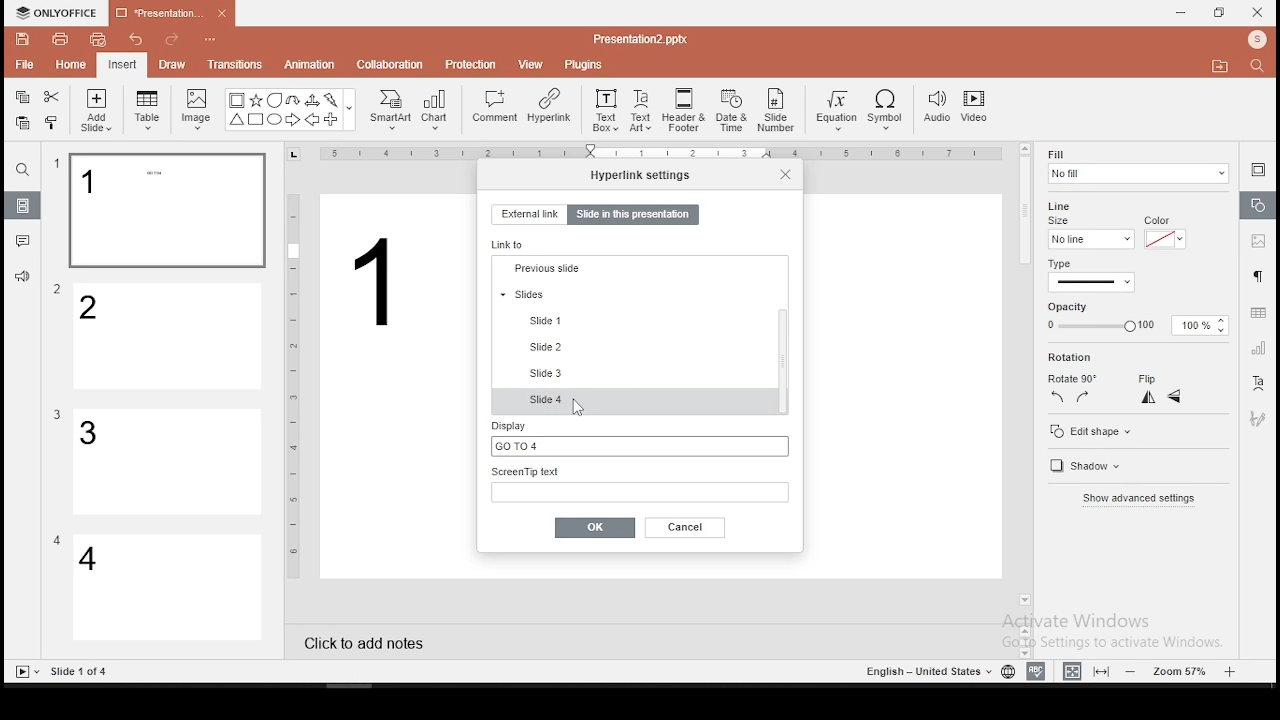 This screenshot has height=720, width=1280. What do you see at coordinates (24, 66) in the screenshot?
I see `file` at bounding box center [24, 66].